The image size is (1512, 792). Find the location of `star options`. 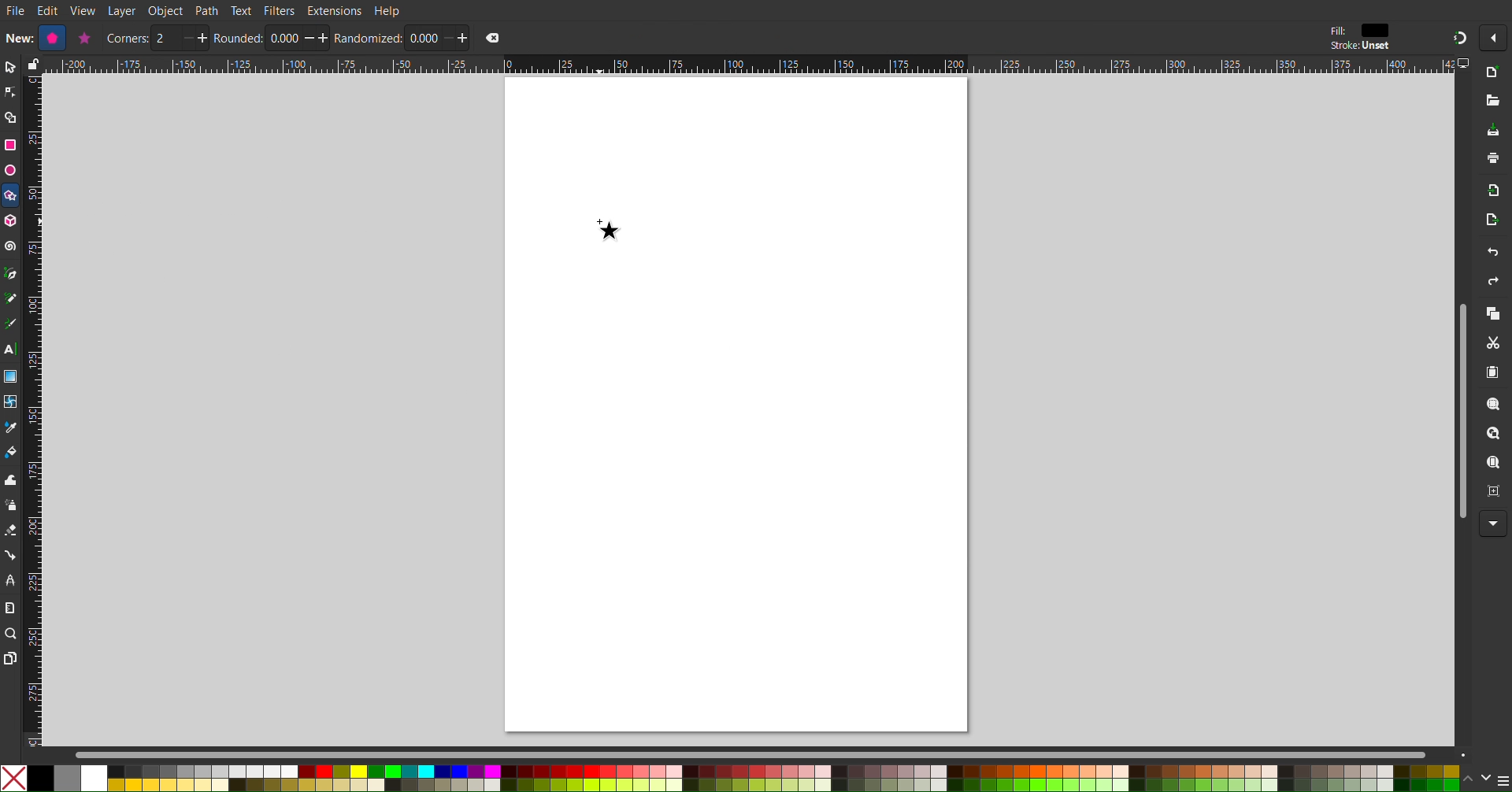

star options is located at coordinates (50, 38).